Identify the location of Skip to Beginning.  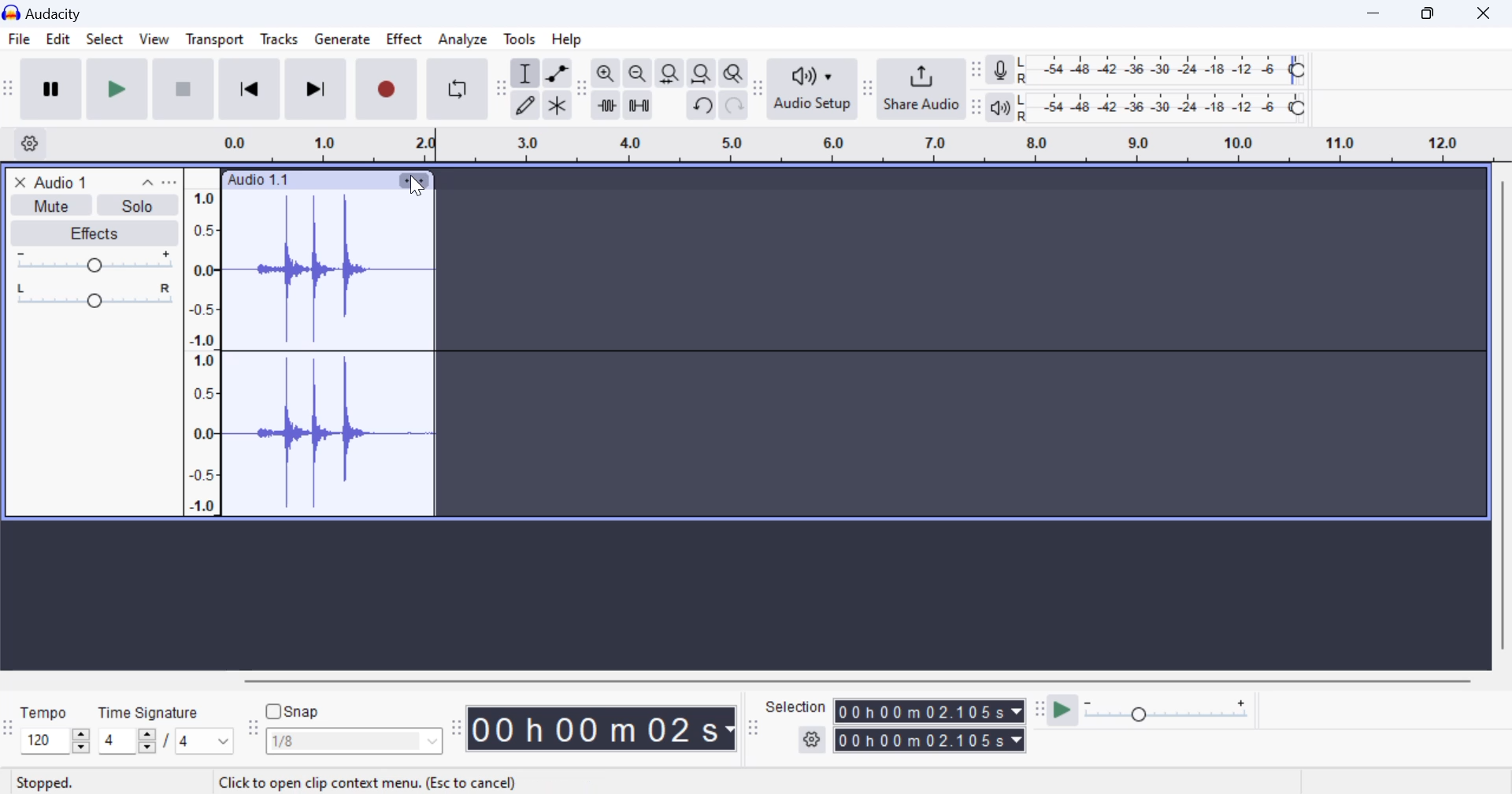
(249, 90).